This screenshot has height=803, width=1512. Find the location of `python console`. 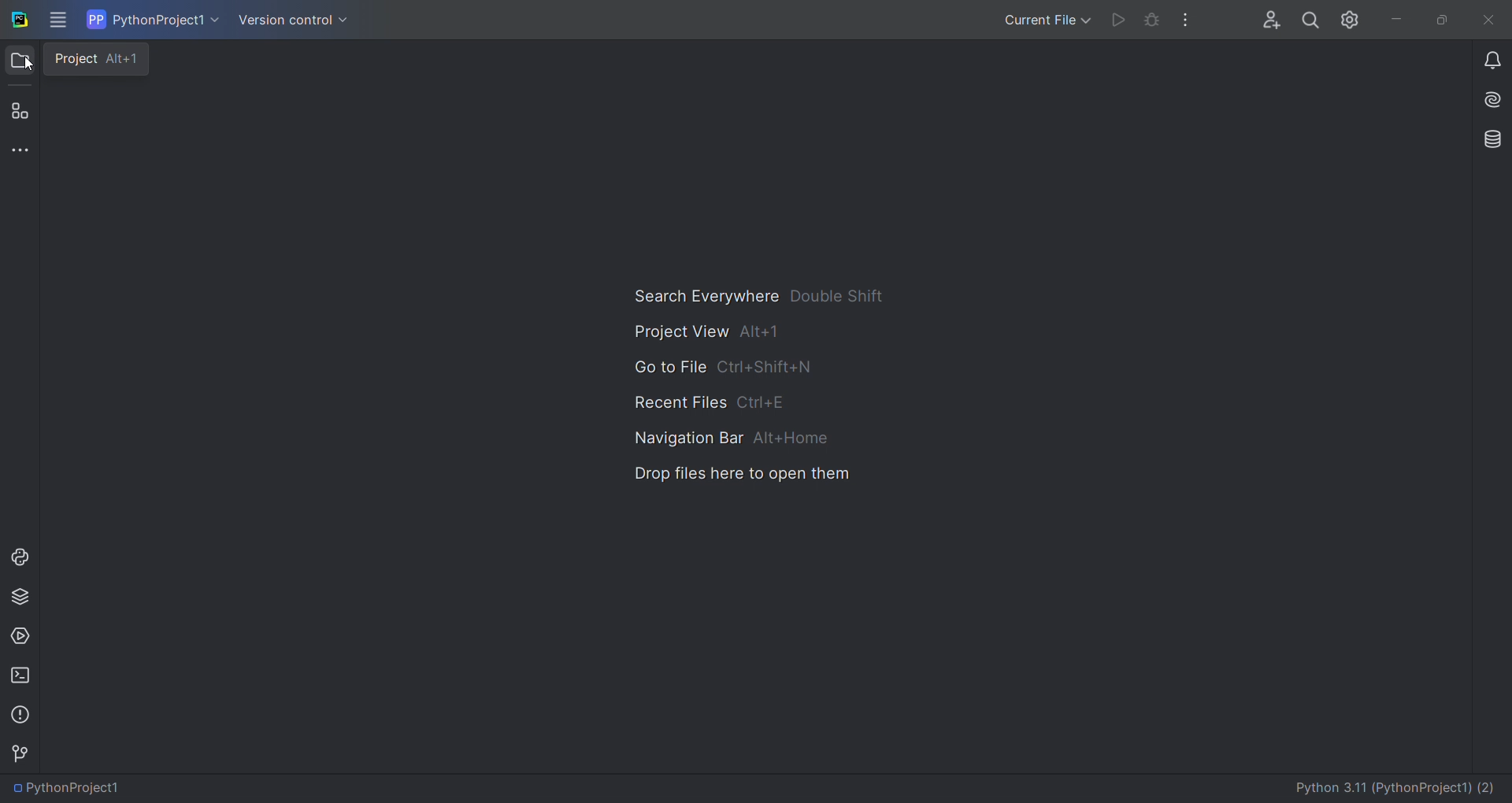

python console is located at coordinates (24, 556).